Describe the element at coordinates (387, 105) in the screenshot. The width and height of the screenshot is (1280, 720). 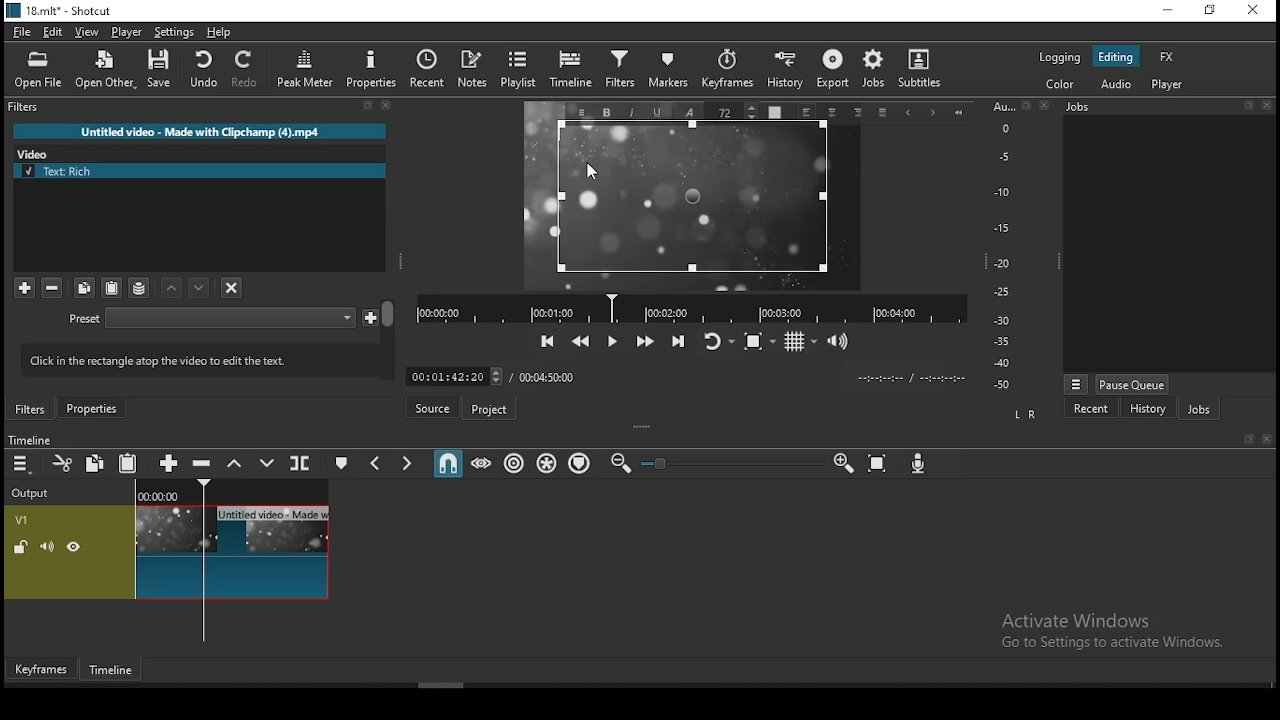
I see `Close` at that location.